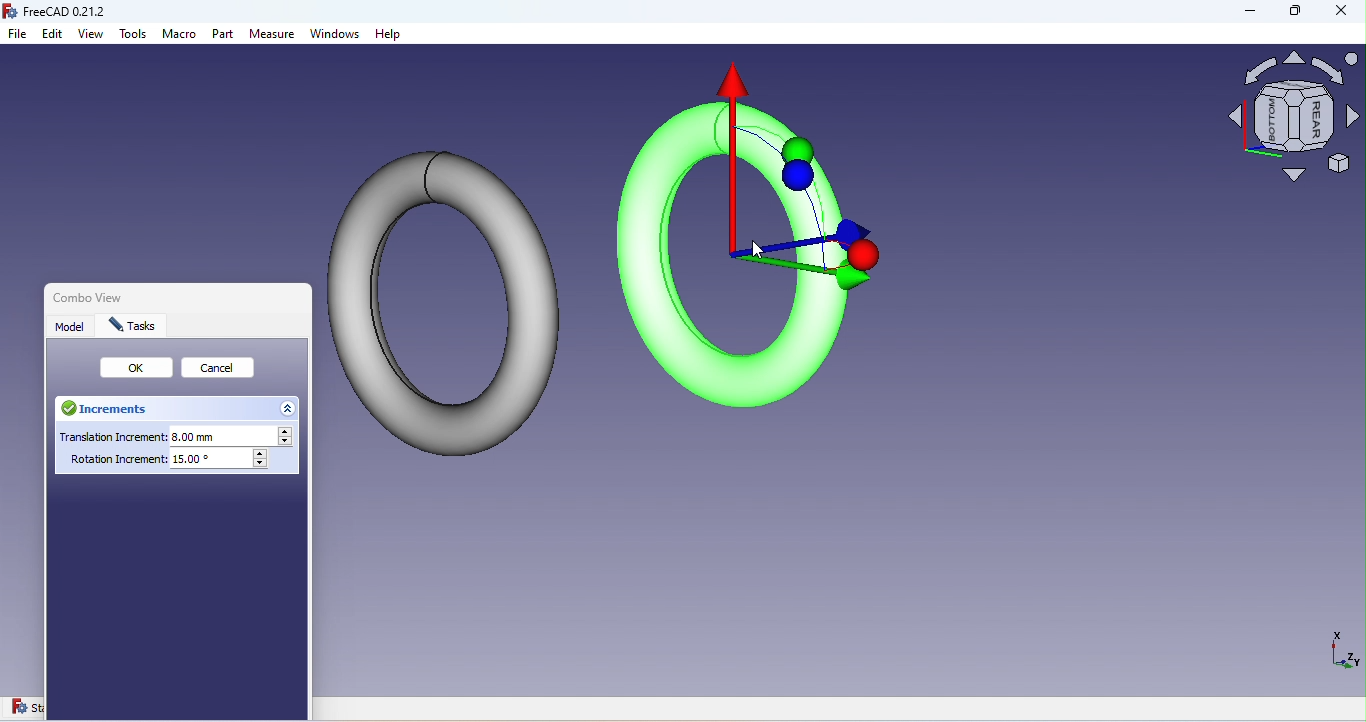  I want to click on Object, so click(755, 238).